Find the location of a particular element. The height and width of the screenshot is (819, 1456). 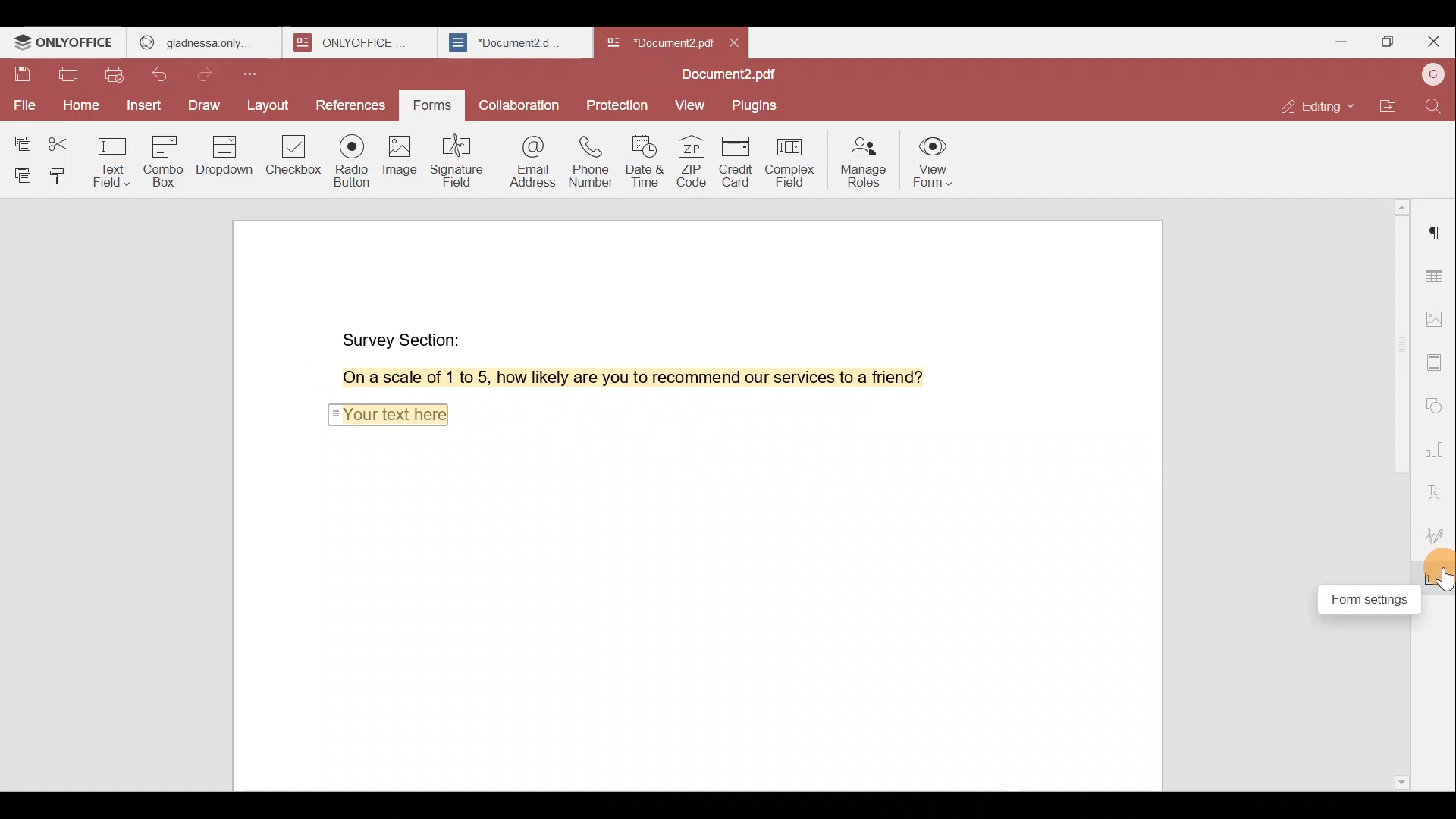

Cut is located at coordinates (64, 140).